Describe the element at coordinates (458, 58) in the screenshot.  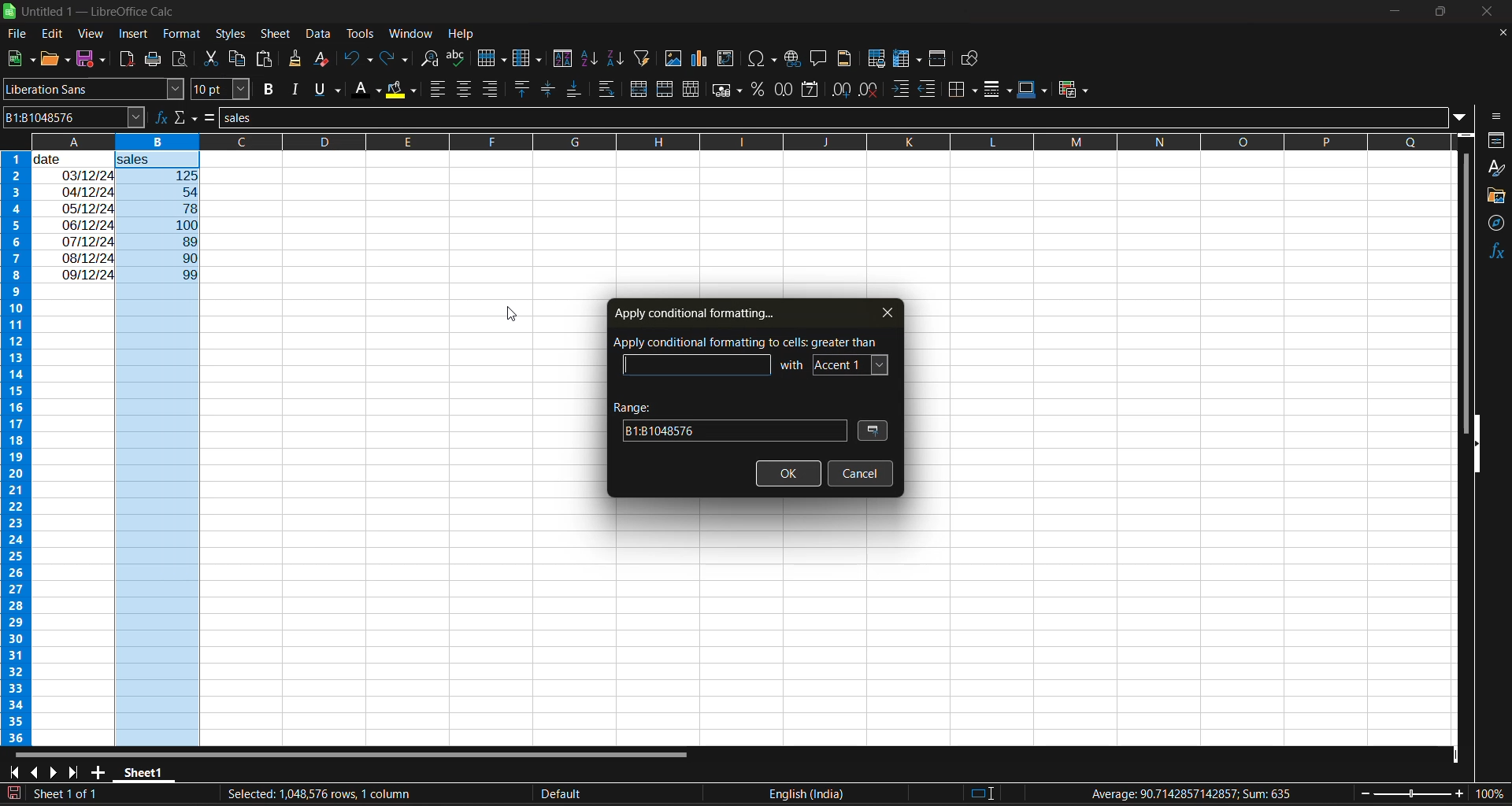
I see `spelling` at that location.